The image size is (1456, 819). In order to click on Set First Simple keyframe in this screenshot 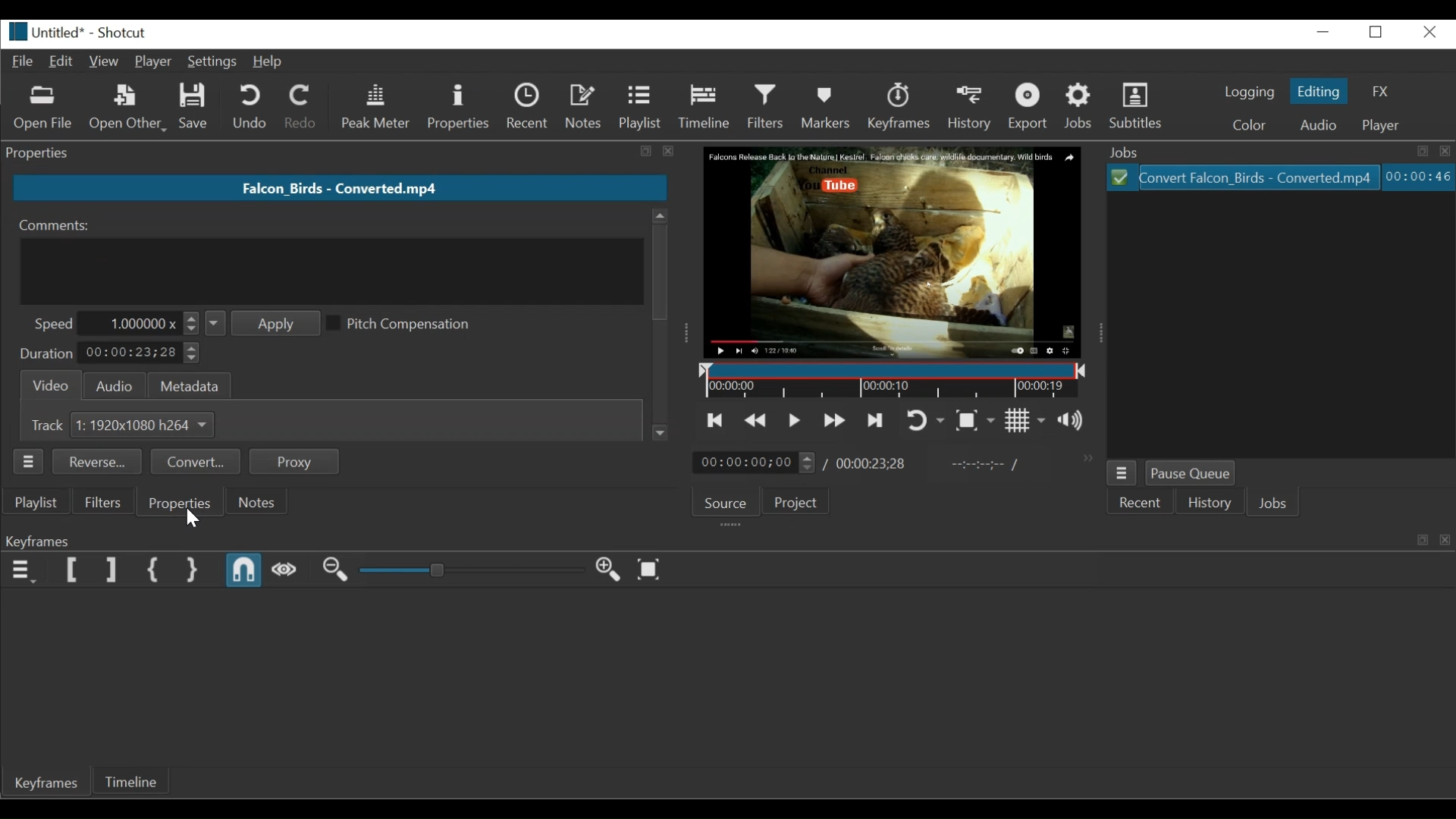, I will do `click(152, 570)`.